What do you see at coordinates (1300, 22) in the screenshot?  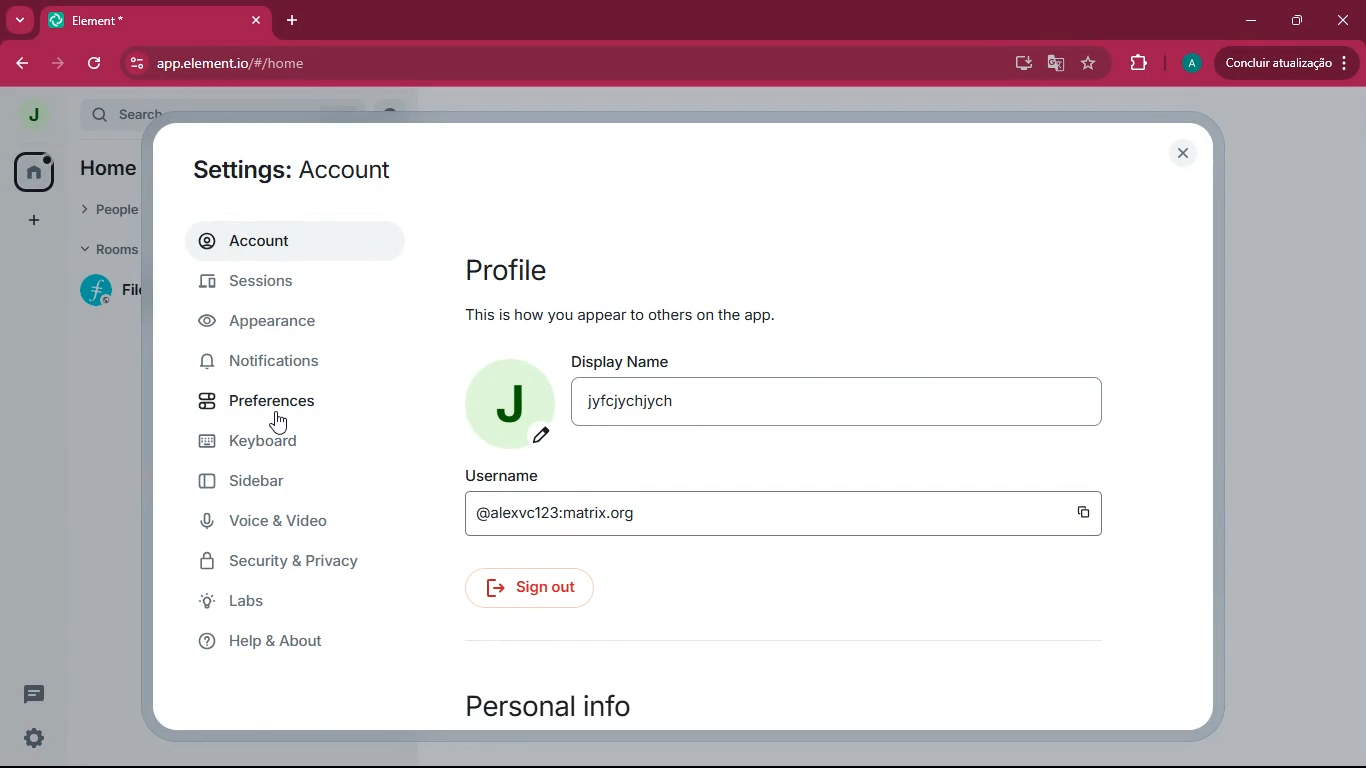 I see `maximize` at bounding box center [1300, 22].